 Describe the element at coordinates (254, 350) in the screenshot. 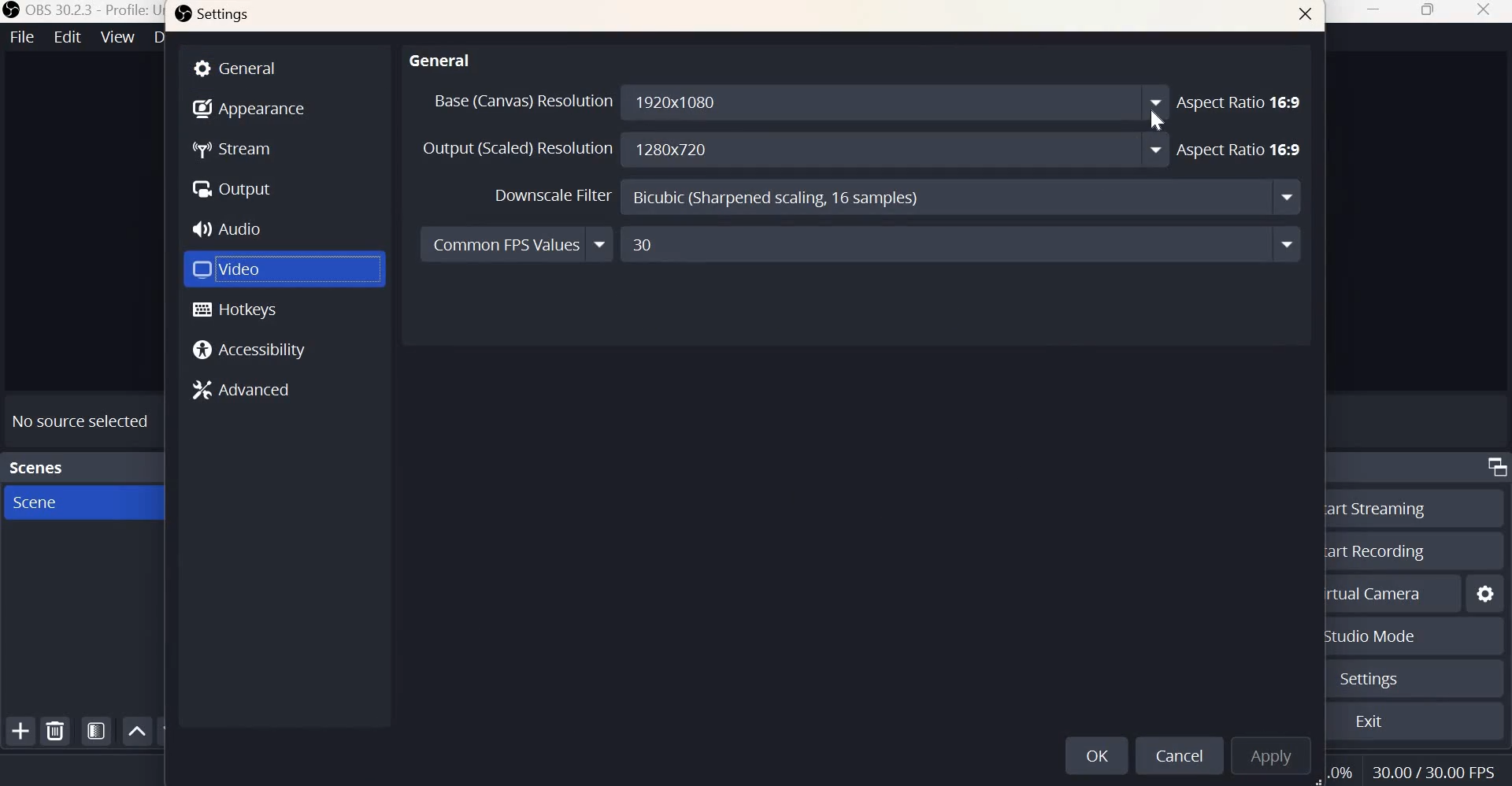

I see `Accessibility` at that location.